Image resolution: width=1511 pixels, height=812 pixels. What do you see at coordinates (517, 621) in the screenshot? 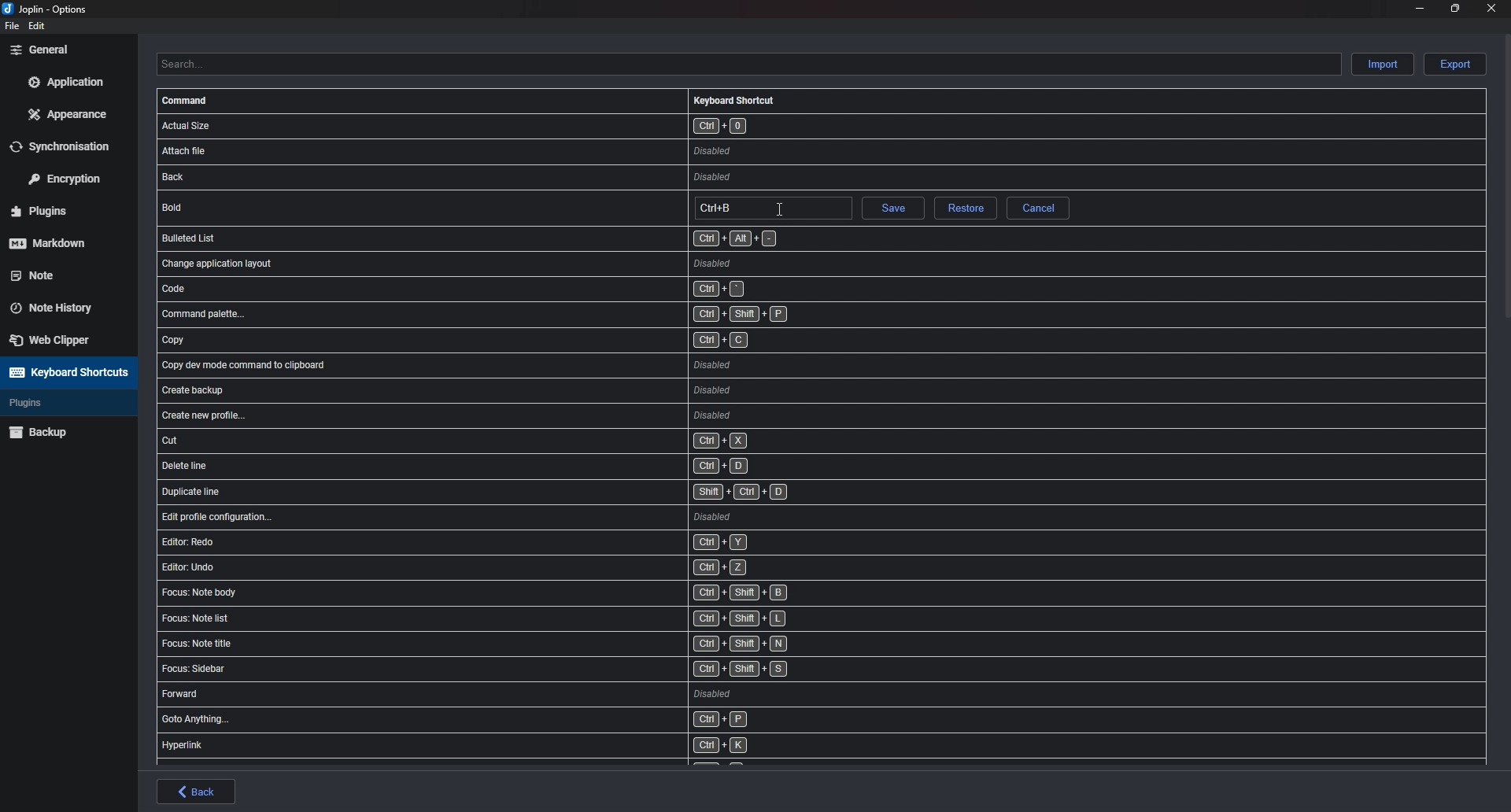
I see `shortcut` at bounding box center [517, 621].